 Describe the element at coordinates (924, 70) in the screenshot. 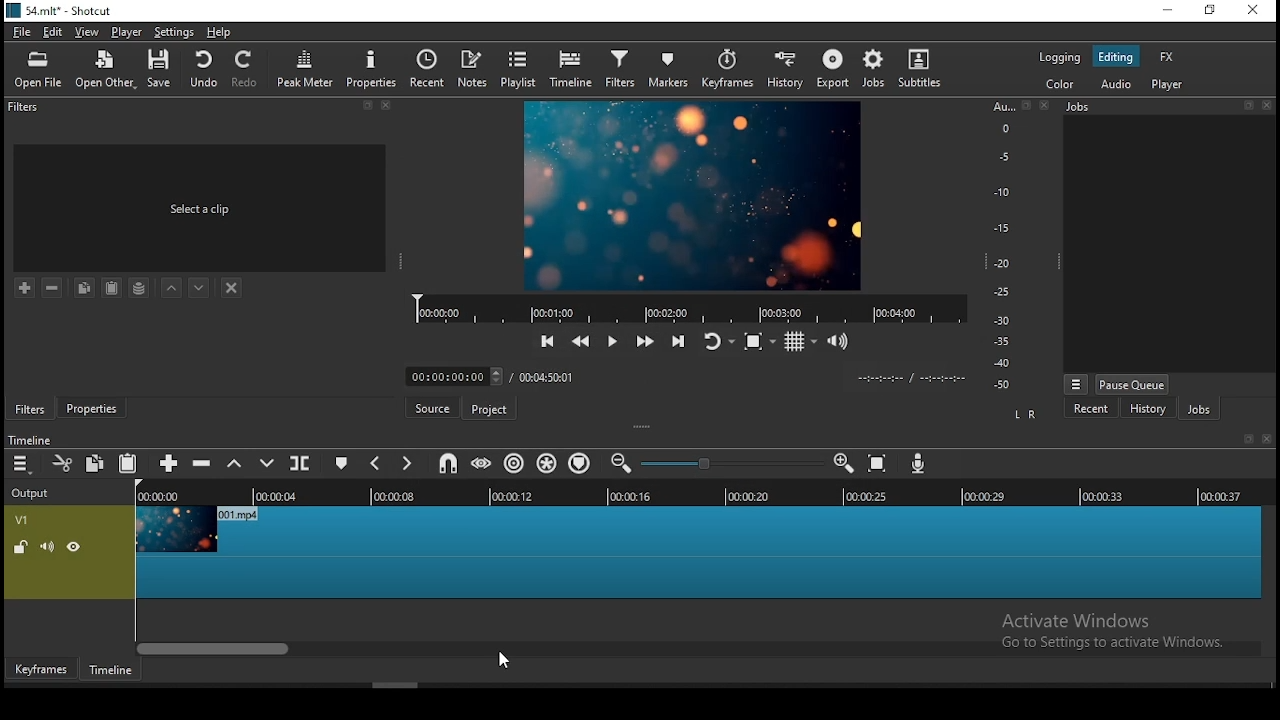

I see `subtitles` at that location.